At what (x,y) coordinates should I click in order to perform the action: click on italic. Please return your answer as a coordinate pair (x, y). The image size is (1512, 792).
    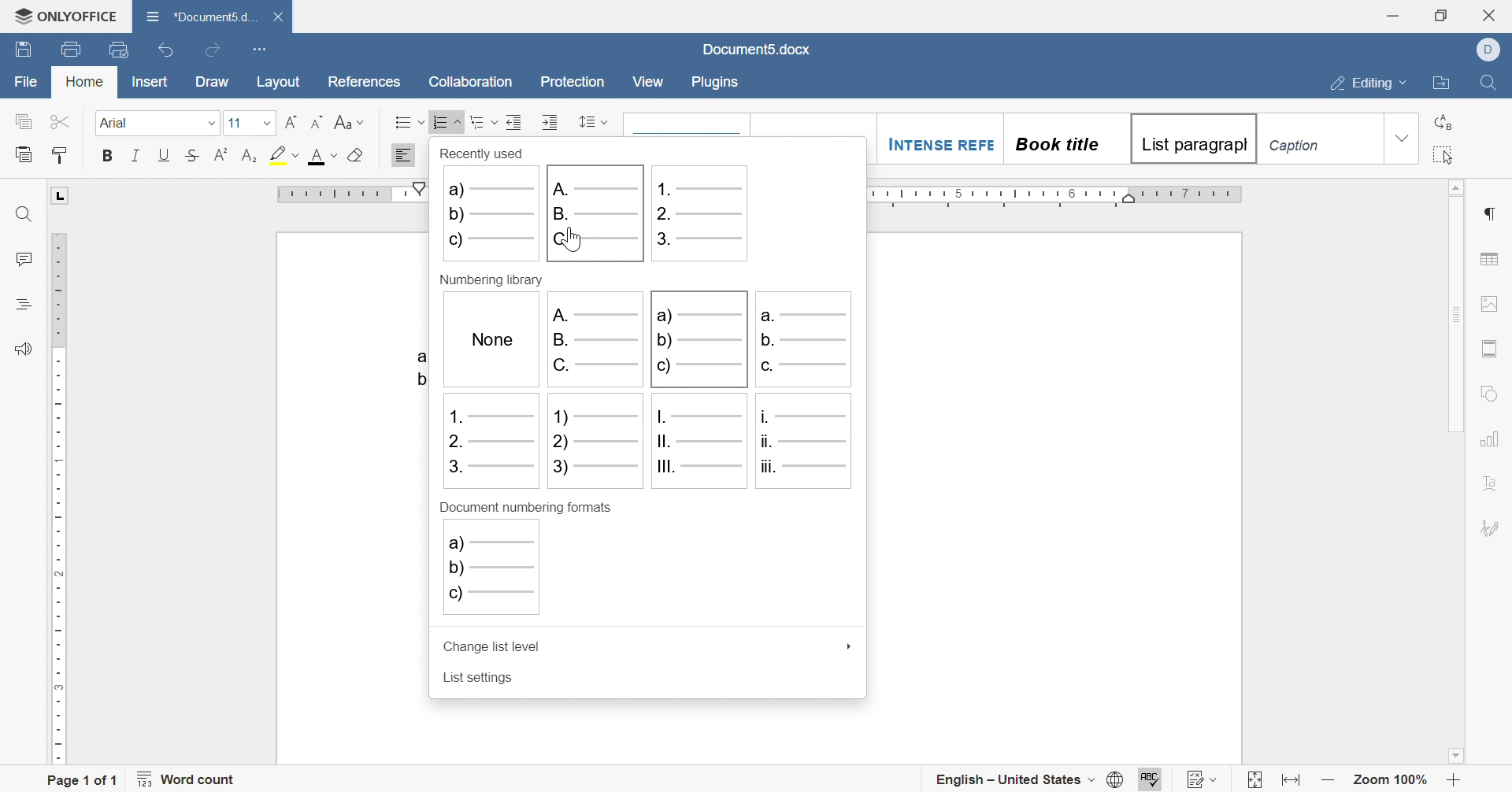
    Looking at the image, I should click on (136, 153).